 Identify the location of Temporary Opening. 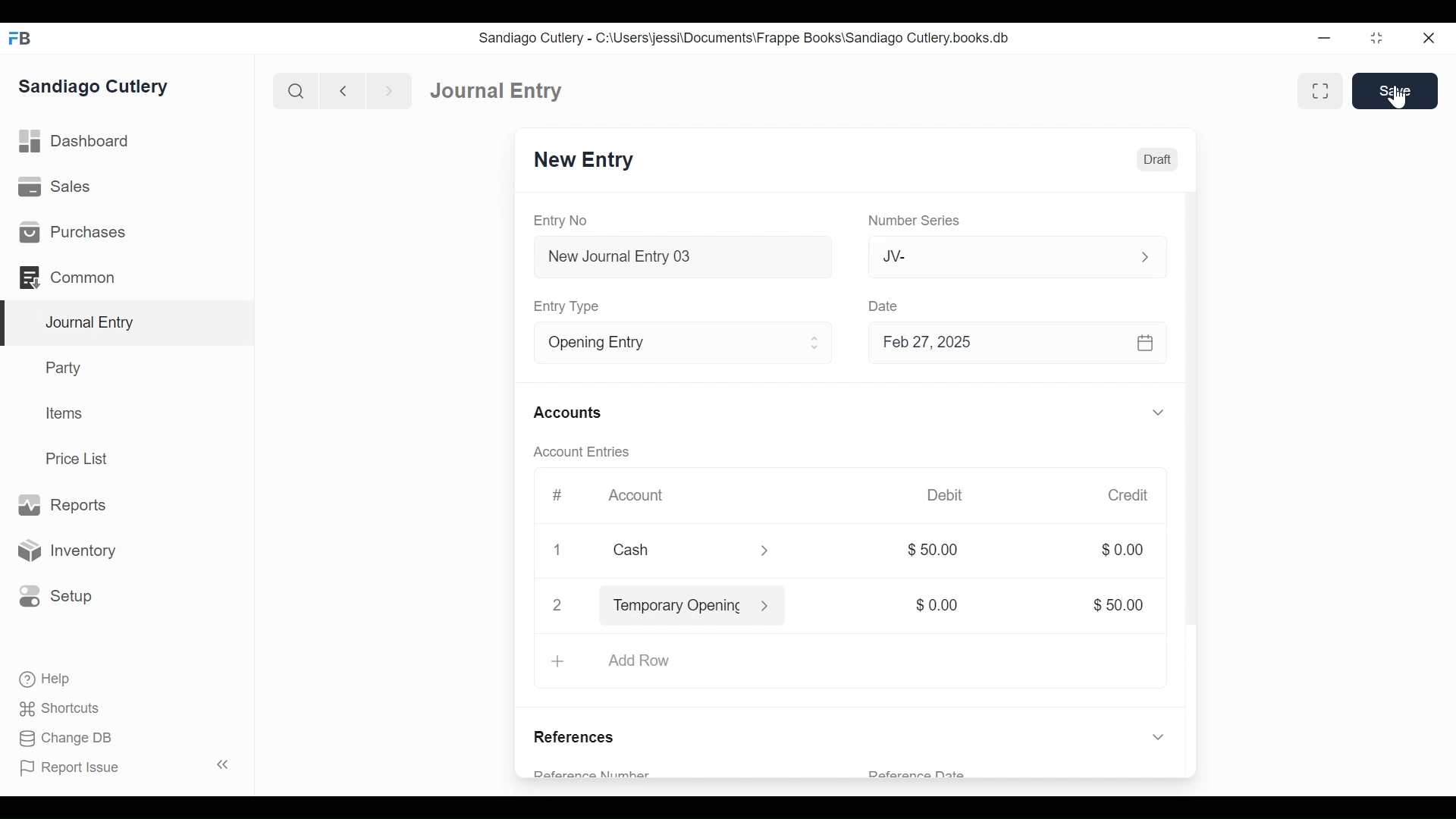
(676, 608).